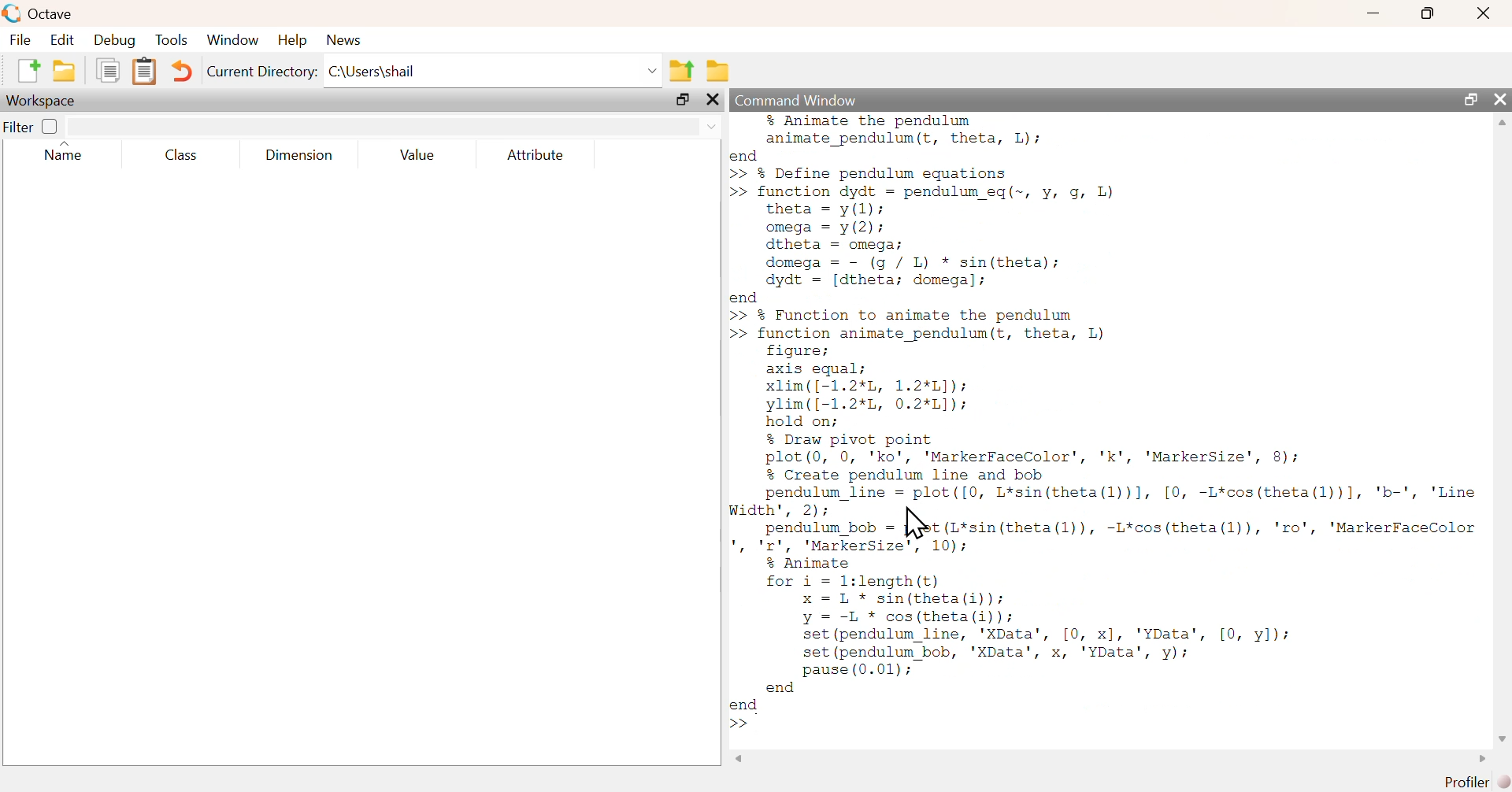 This screenshot has height=792, width=1512. Describe the element at coordinates (172, 41) in the screenshot. I see `Tools` at that location.